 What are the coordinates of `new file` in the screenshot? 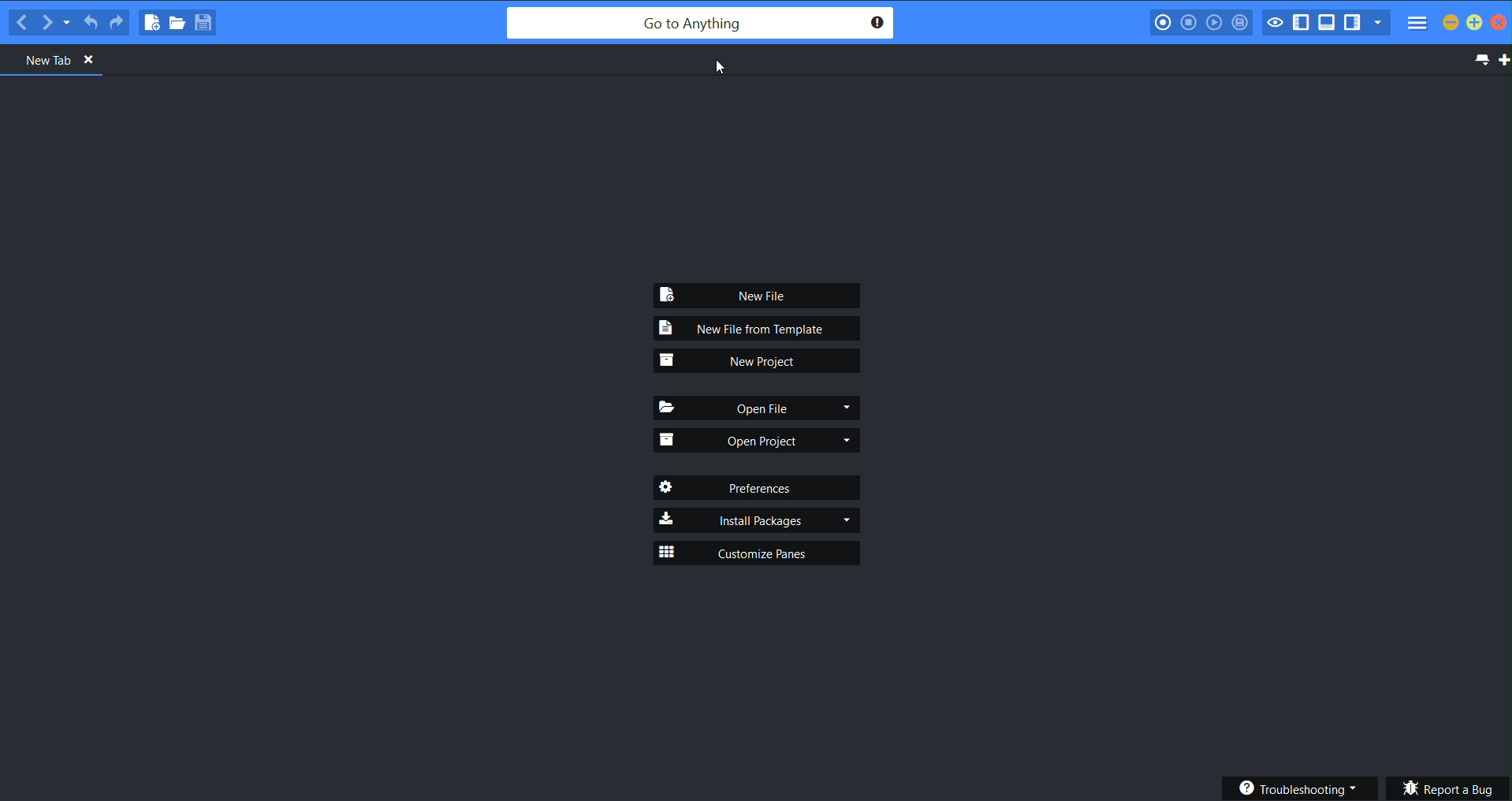 It's located at (149, 20).